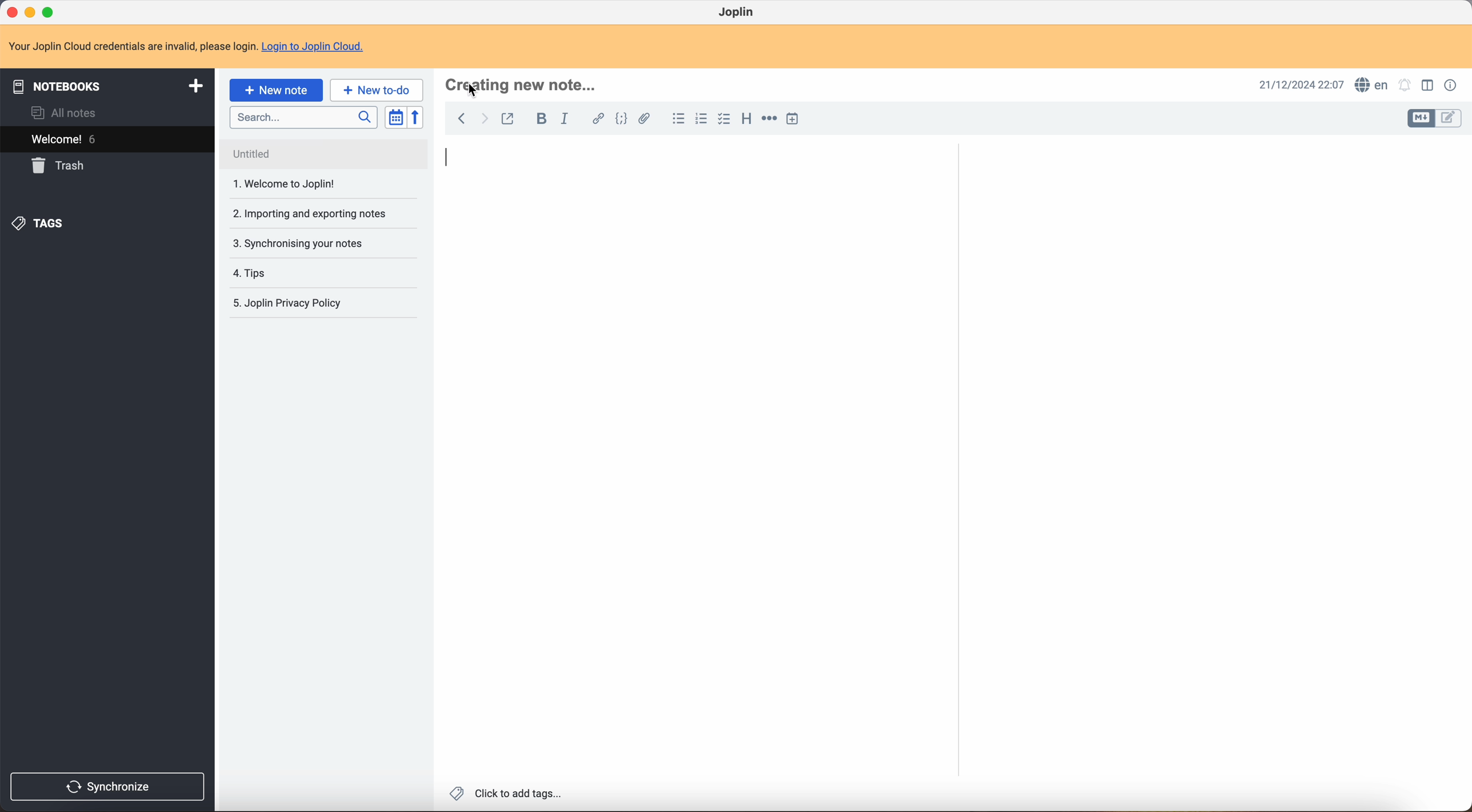 Image resolution: width=1472 pixels, height=812 pixels. Describe the element at coordinates (62, 113) in the screenshot. I see `all notes` at that location.